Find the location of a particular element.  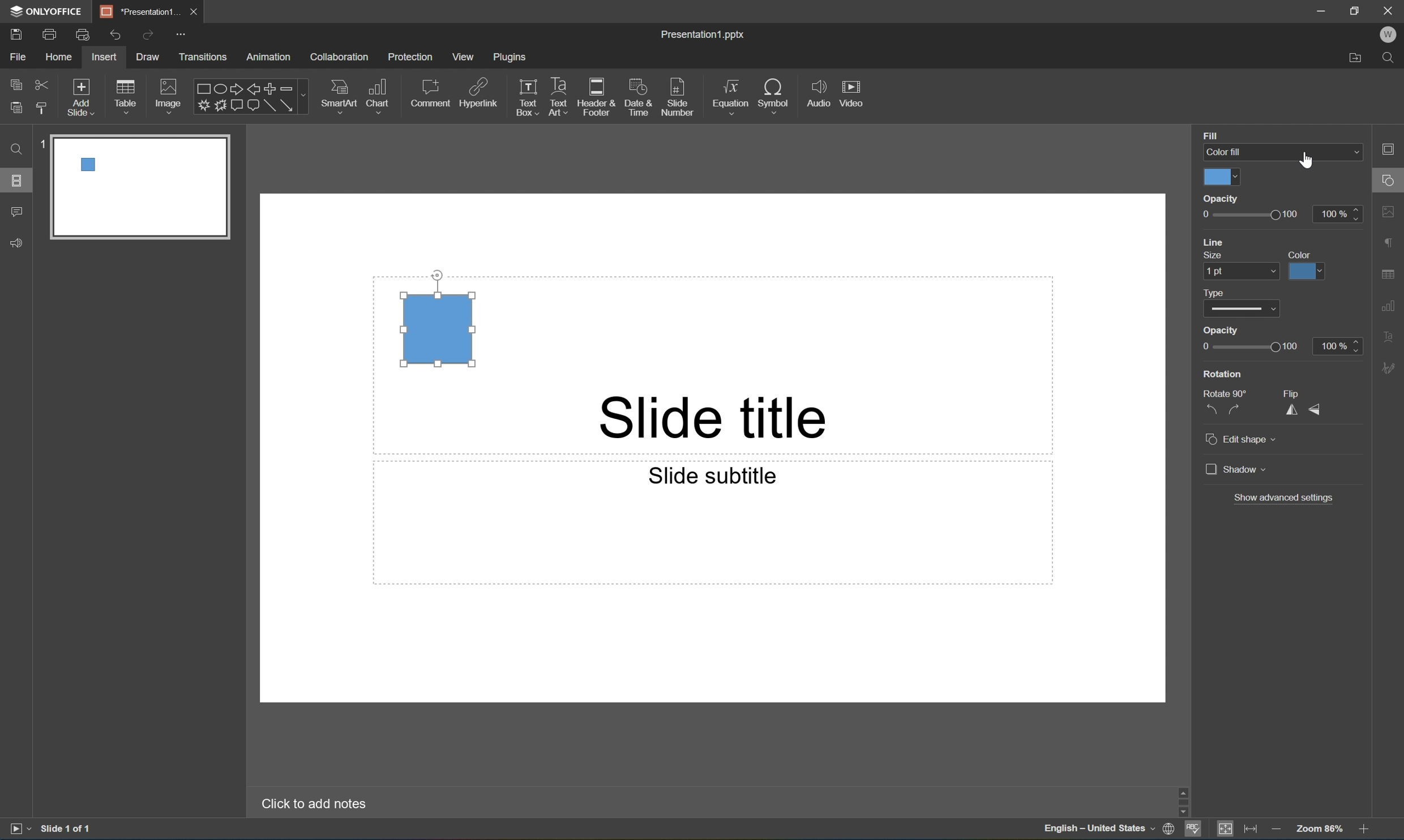

Slides is located at coordinates (16, 179).